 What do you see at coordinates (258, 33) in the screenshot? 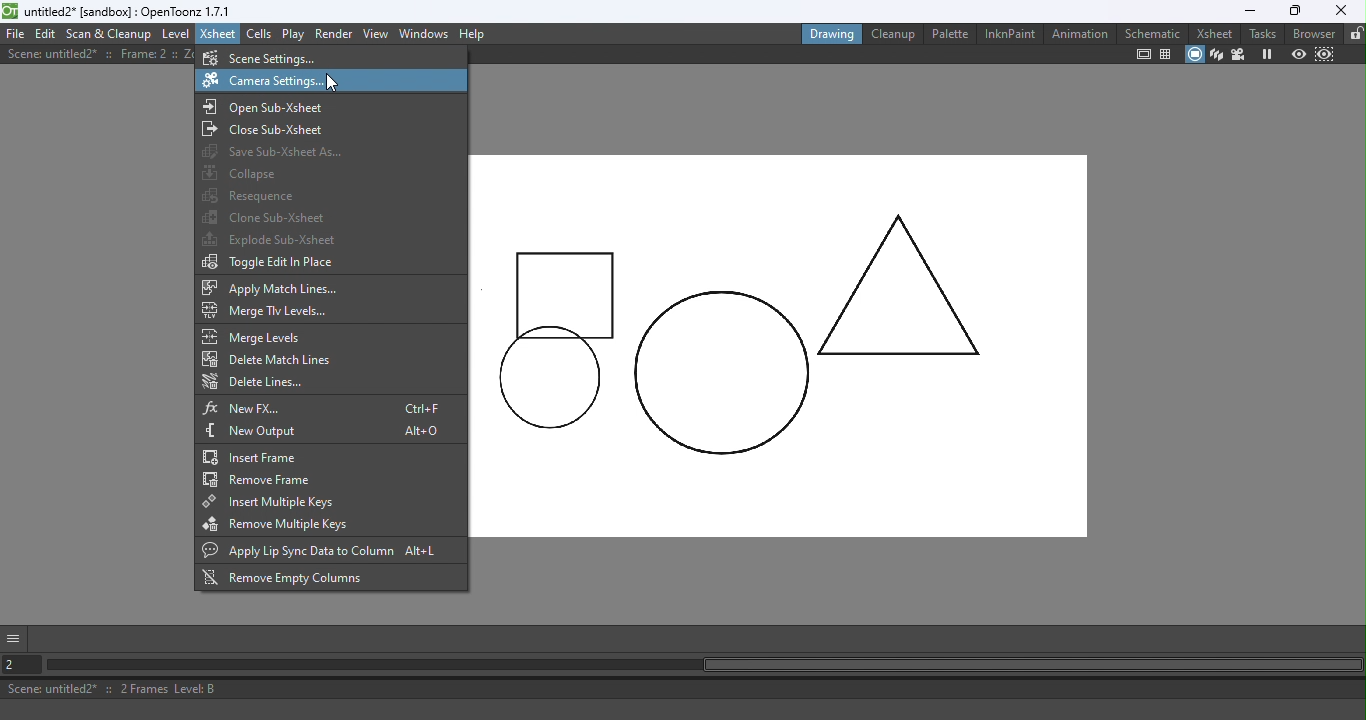
I see `Cells` at bounding box center [258, 33].